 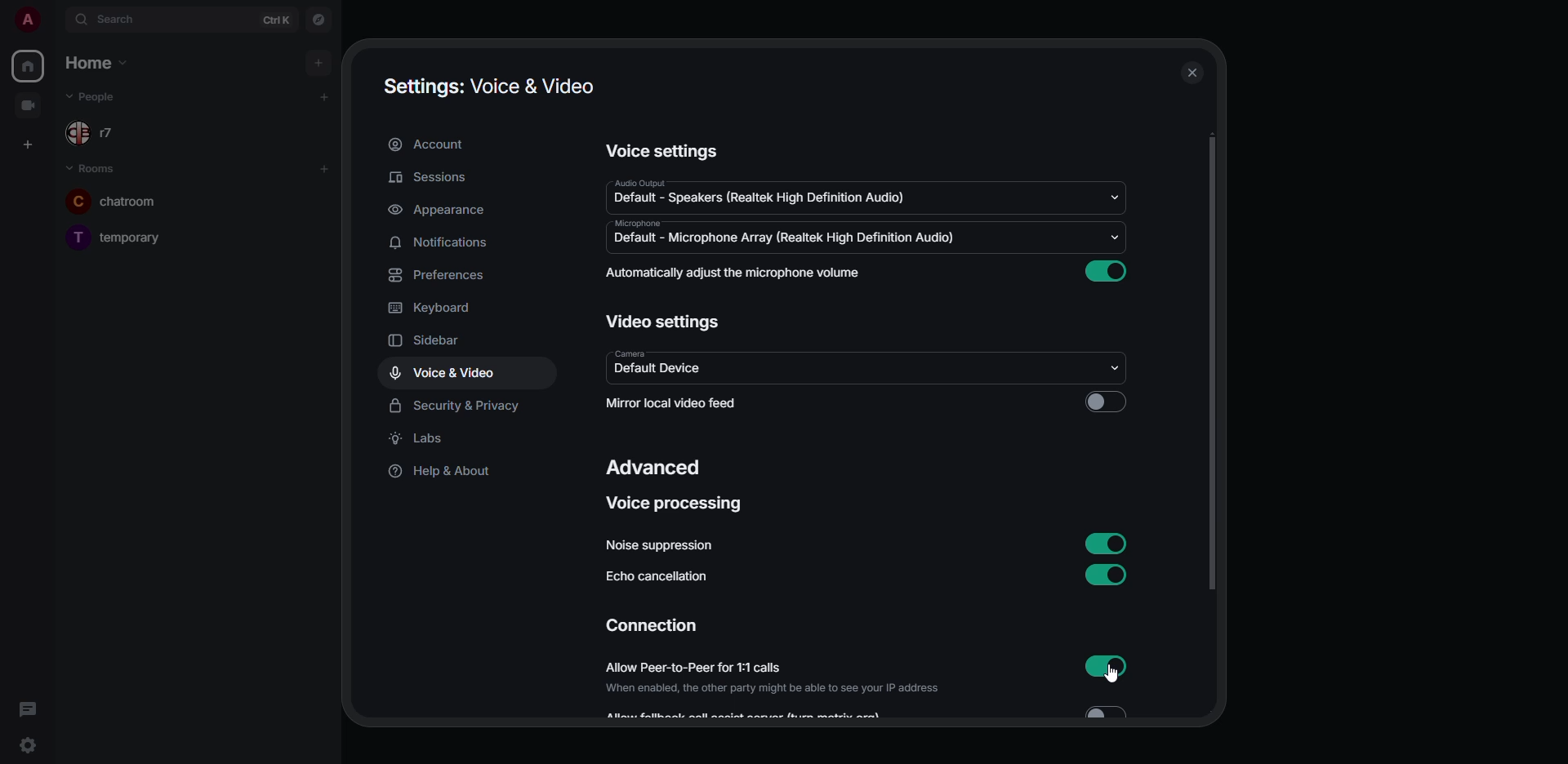 What do you see at coordinates (436, 277) in the screenshot?
I see `preferences` at bounding box center [436, 277].